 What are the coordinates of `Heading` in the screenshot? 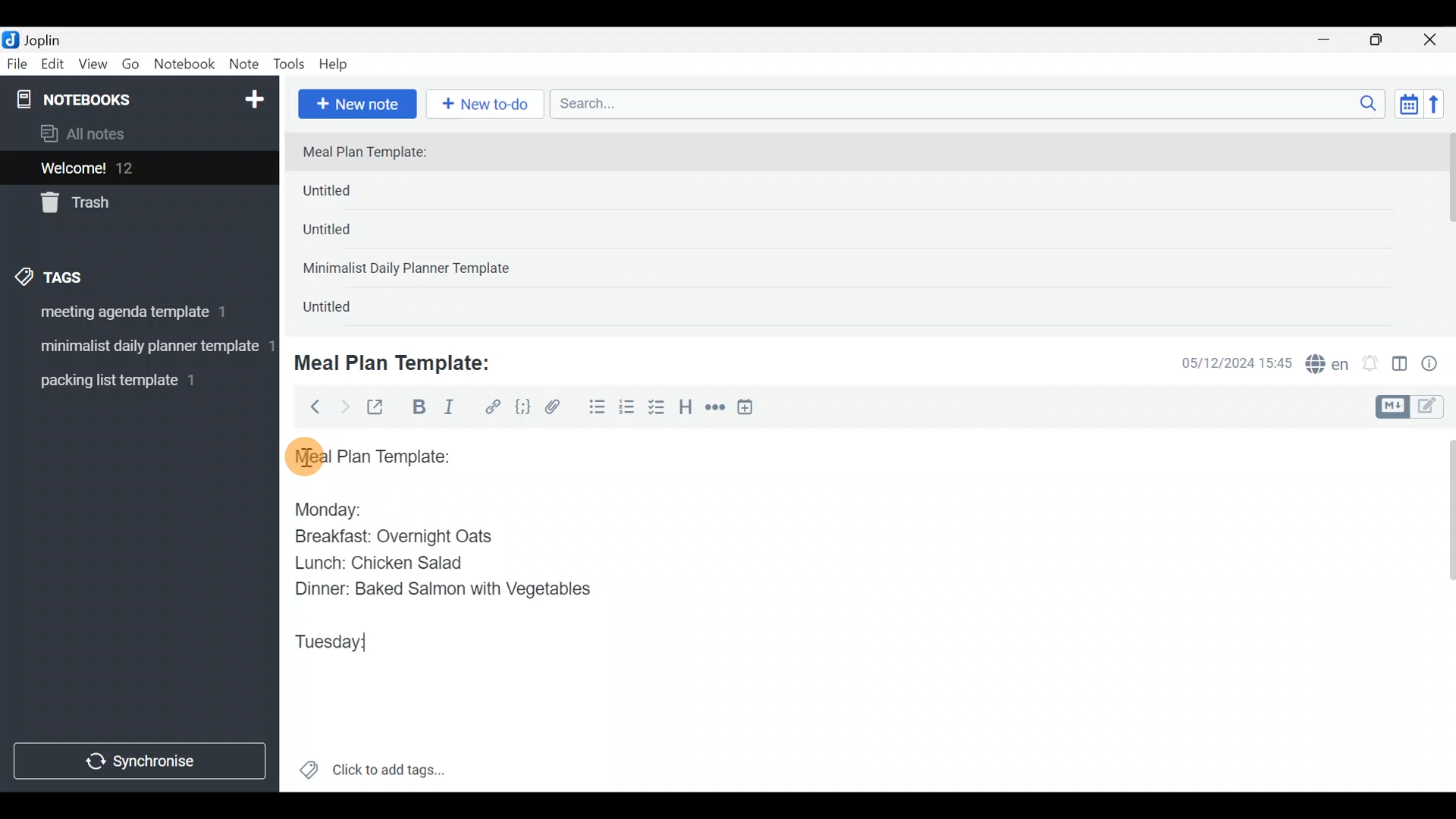 It's located at (686, 409).